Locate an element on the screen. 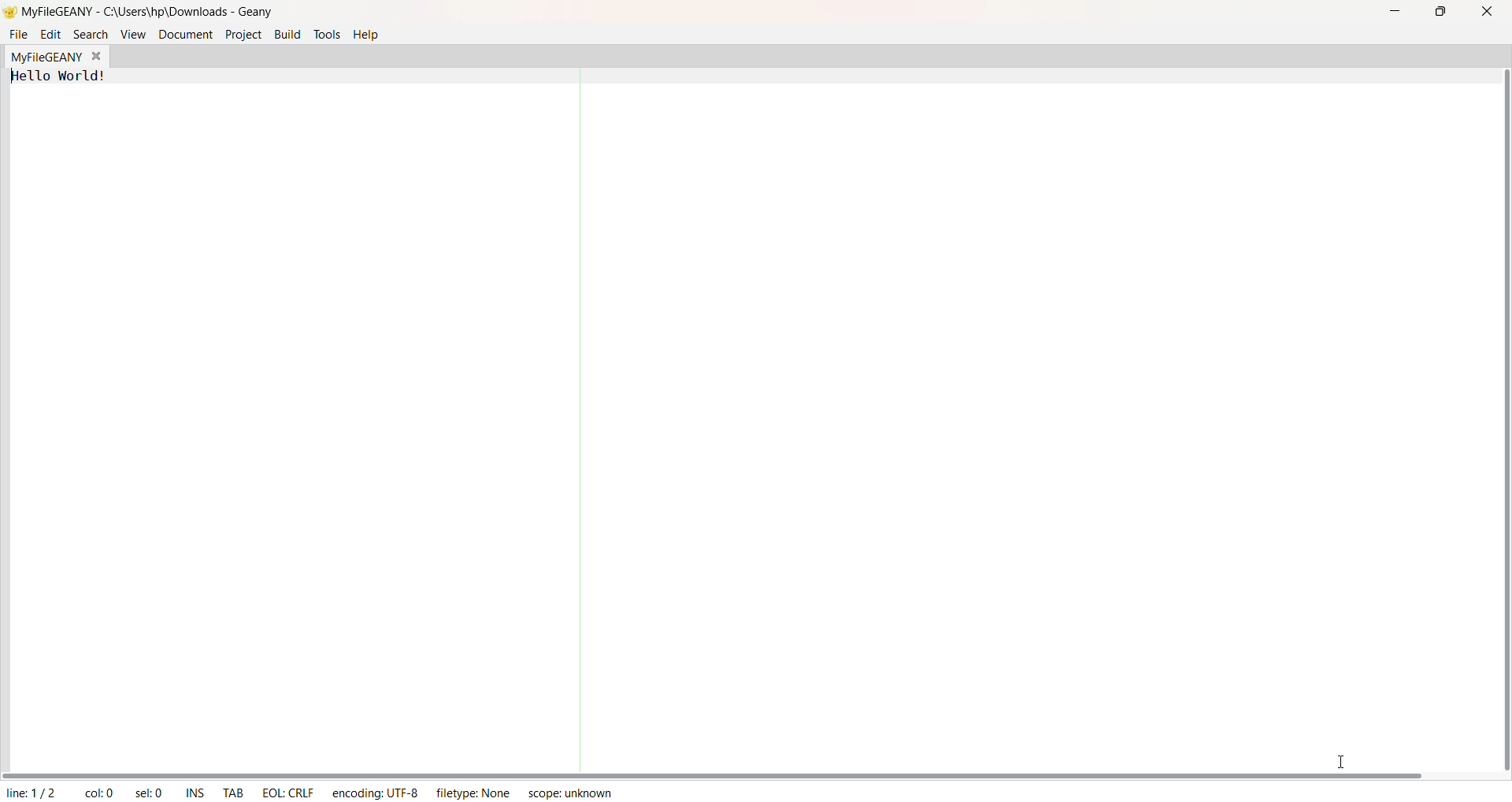  View is located at coordinates (130, 34).